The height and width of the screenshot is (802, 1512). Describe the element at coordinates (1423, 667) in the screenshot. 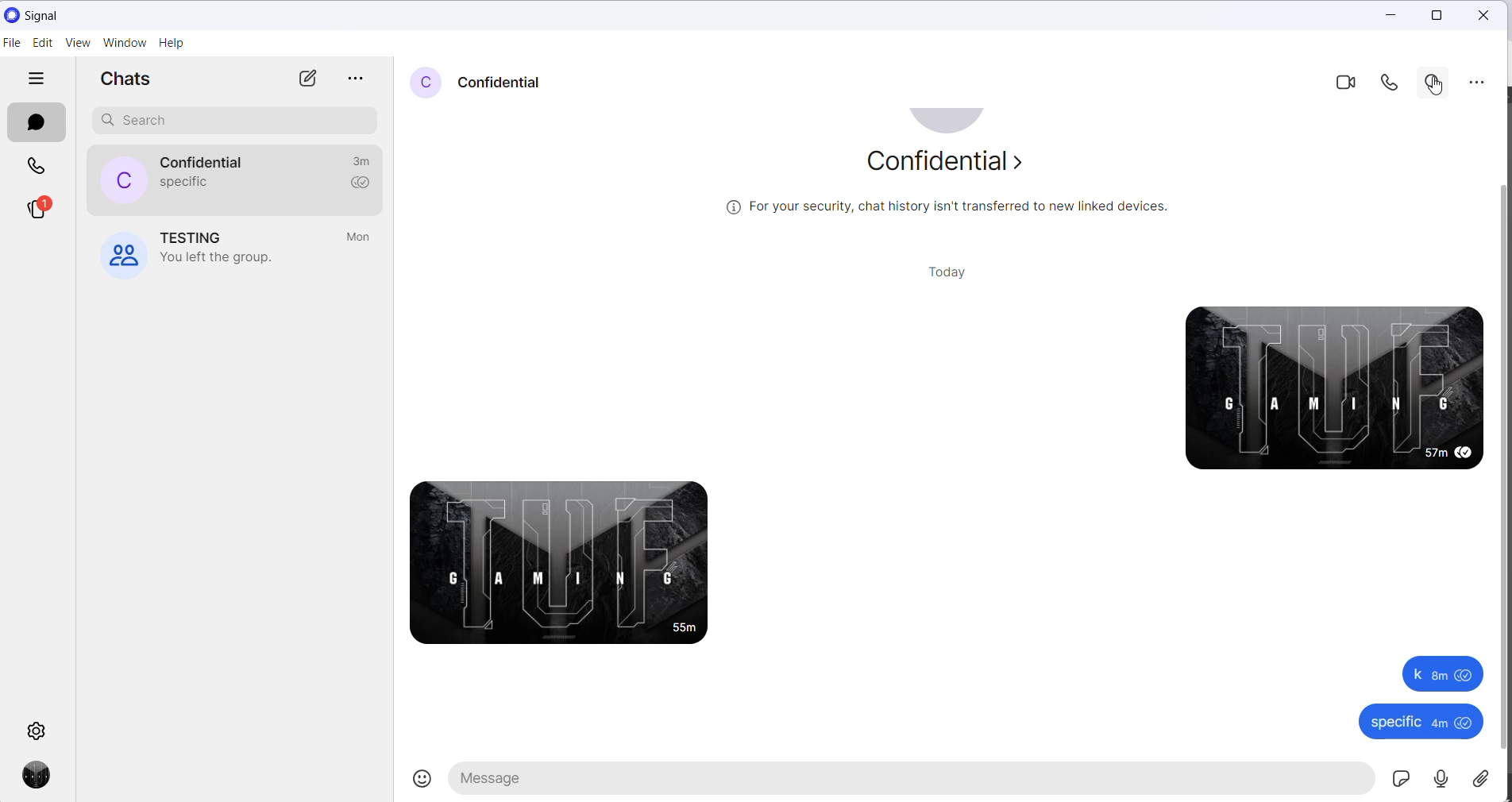

I see `k` at that location.